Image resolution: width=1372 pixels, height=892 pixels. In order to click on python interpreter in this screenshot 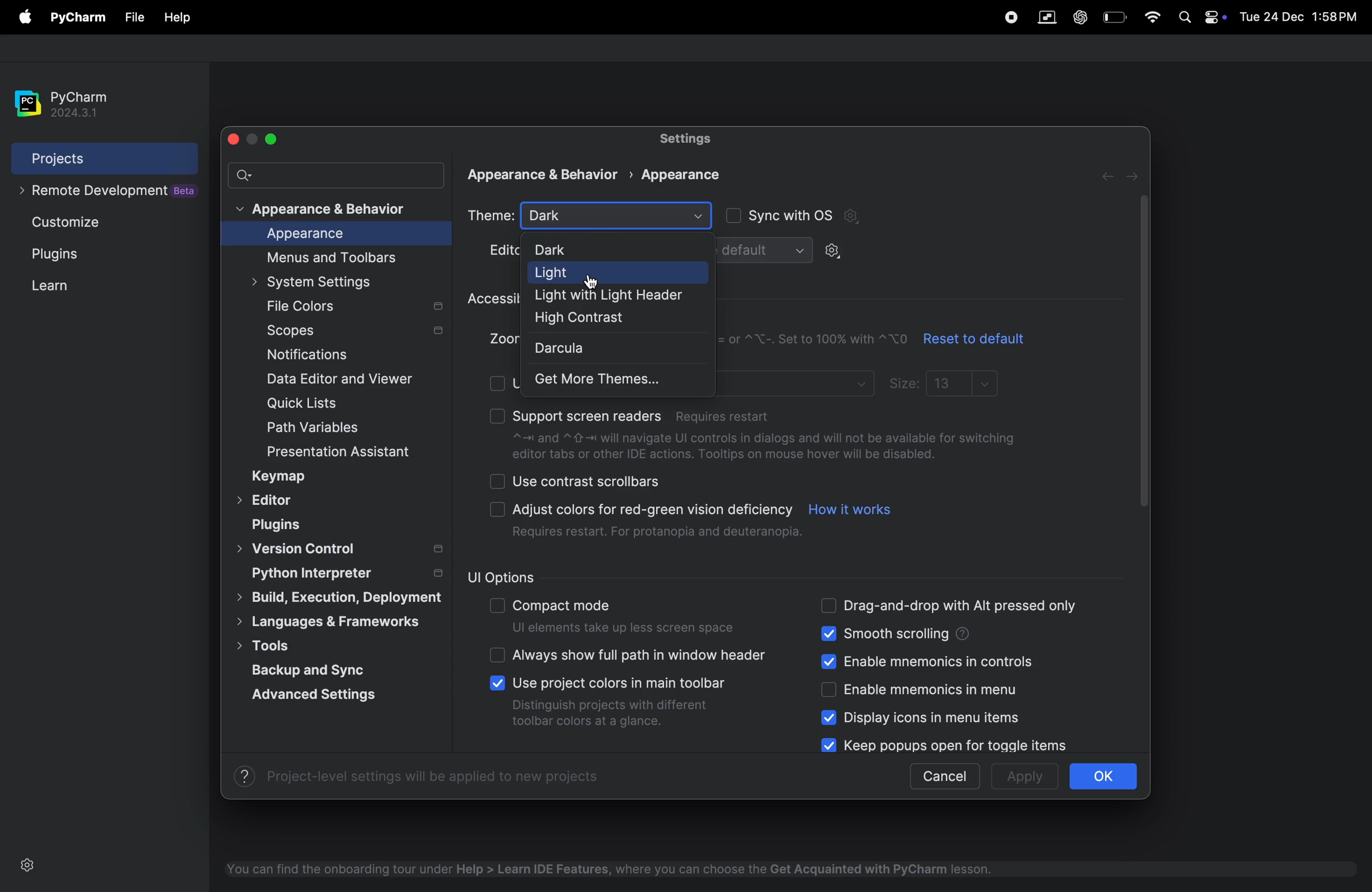, I will do `click(341, 574)`.